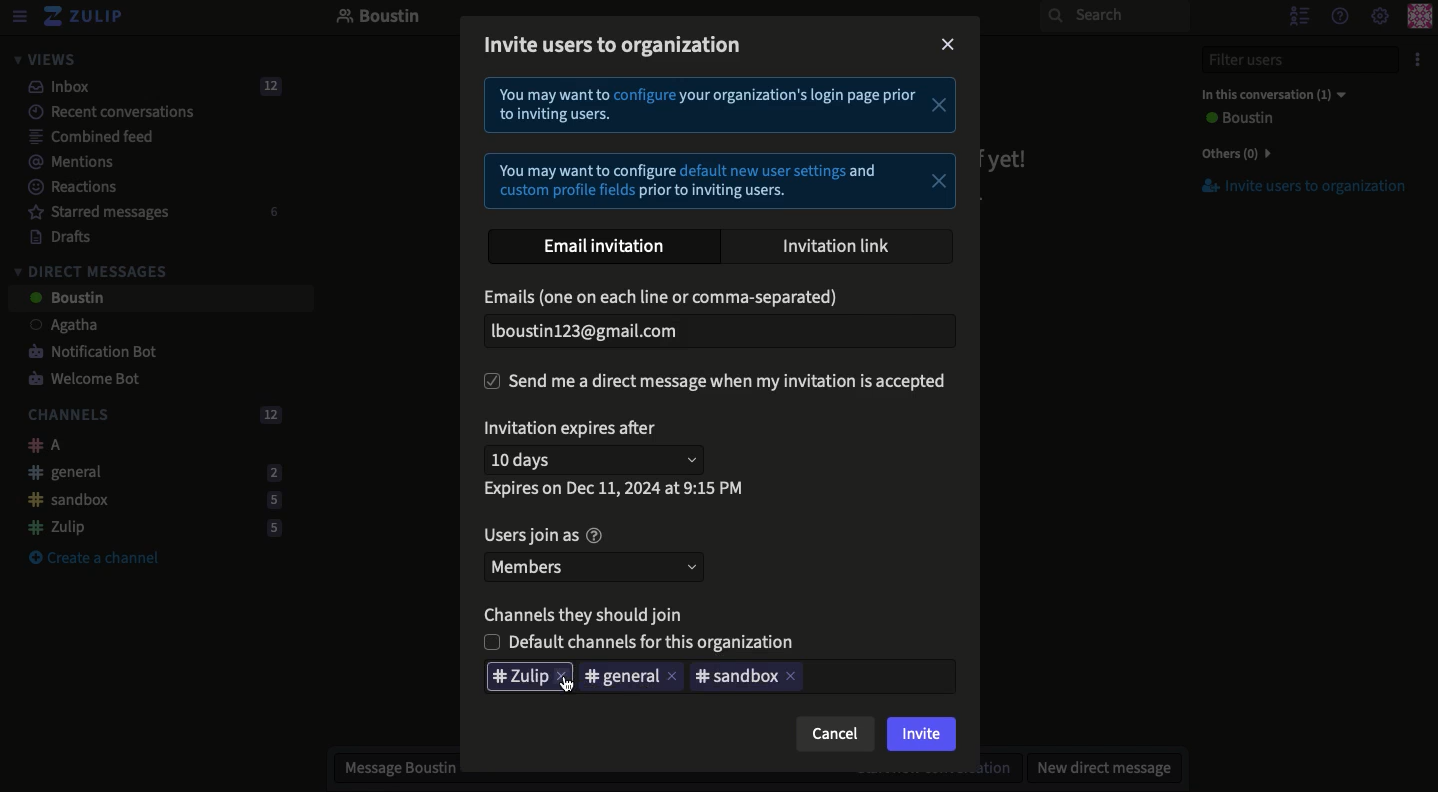 This screenshot has height=792, width=1438. What do you see at coordinates (599, 459) in the screenshot?
I see `10 days` at bounding box center [599, 459].